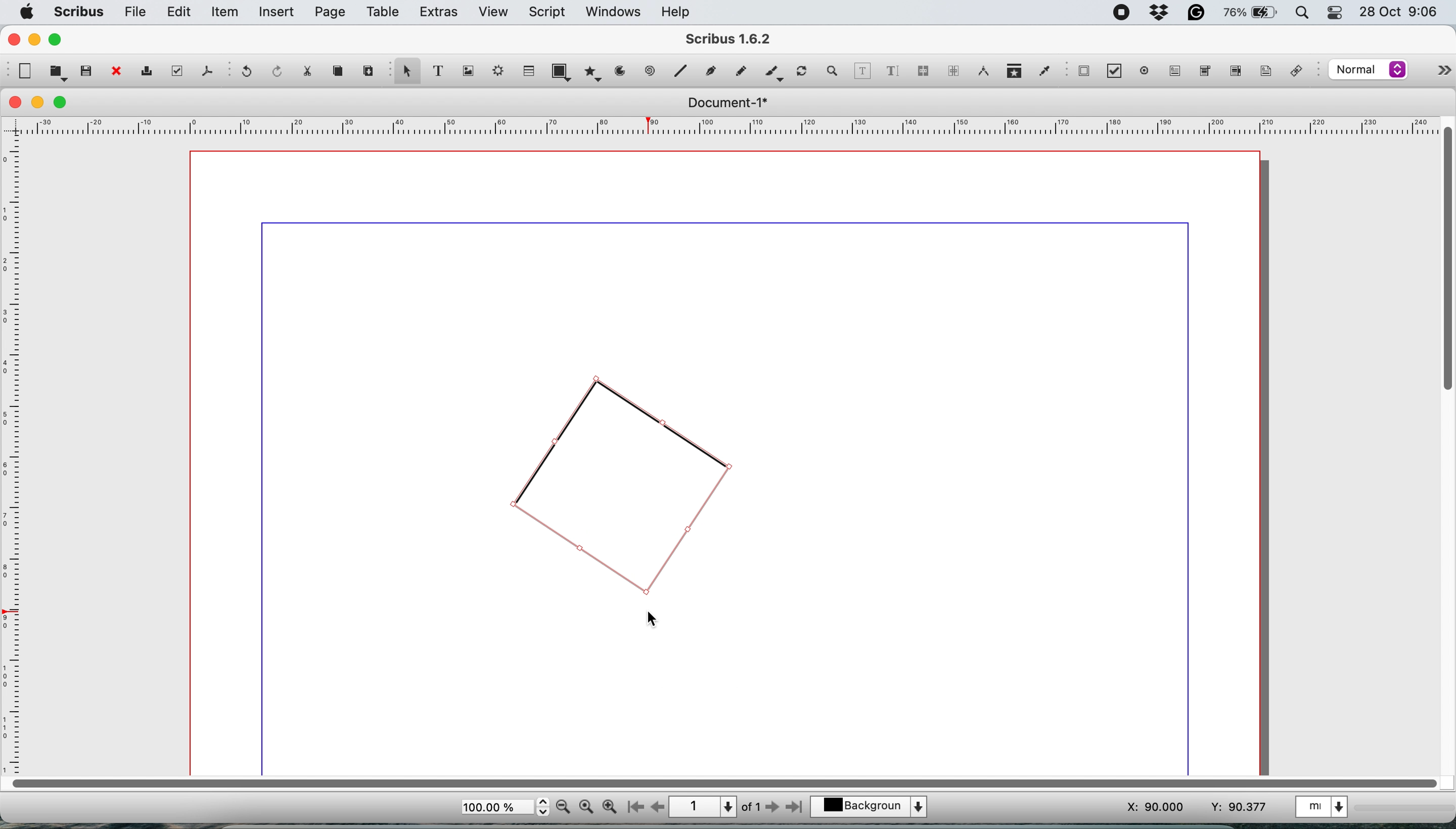  What do you see at coordinates (493, 12) in the screenshot?
I see `view` at bounding box center [493, 12].